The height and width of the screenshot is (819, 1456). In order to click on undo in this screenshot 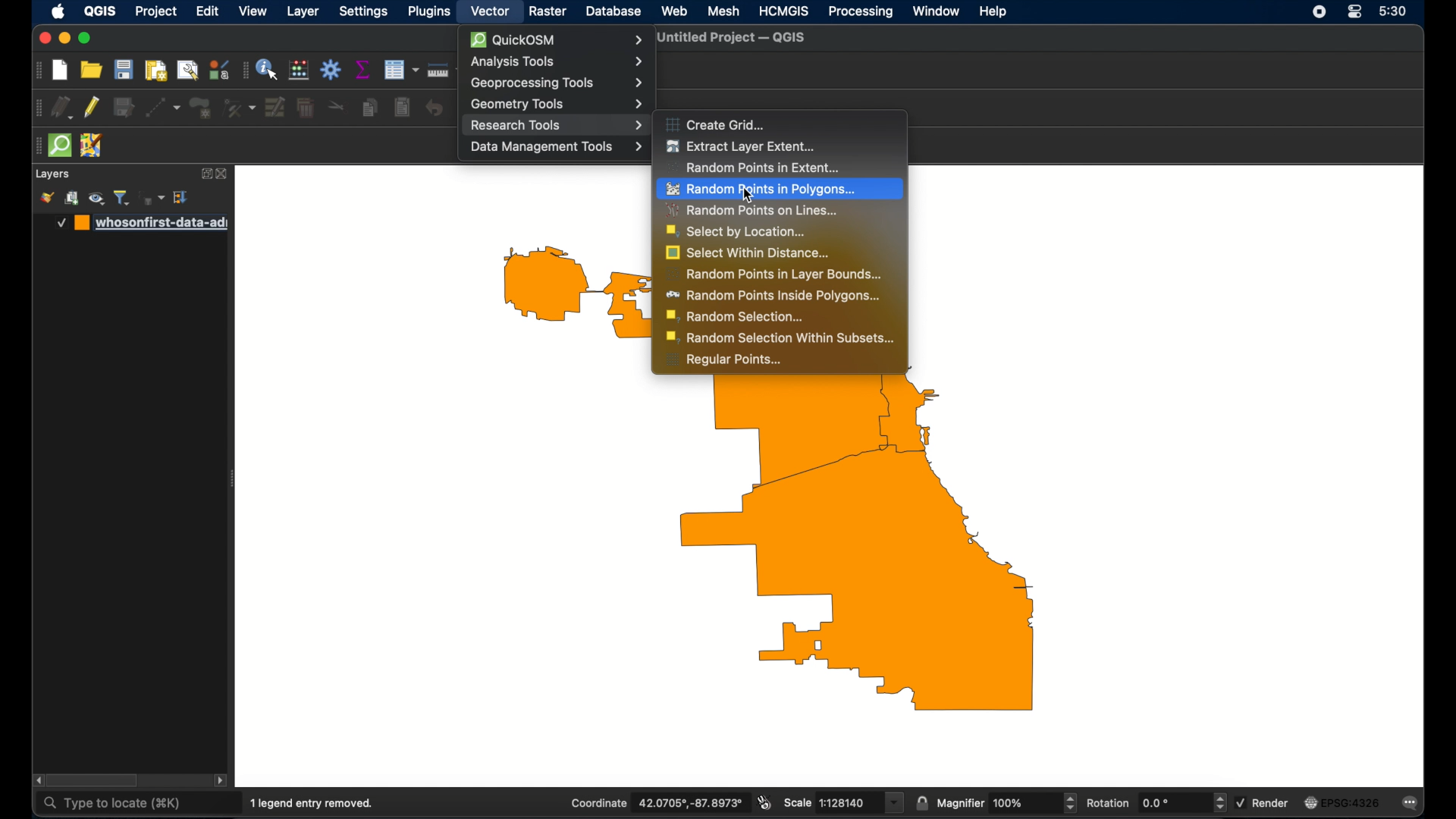, I will do `click(435, 108)`.